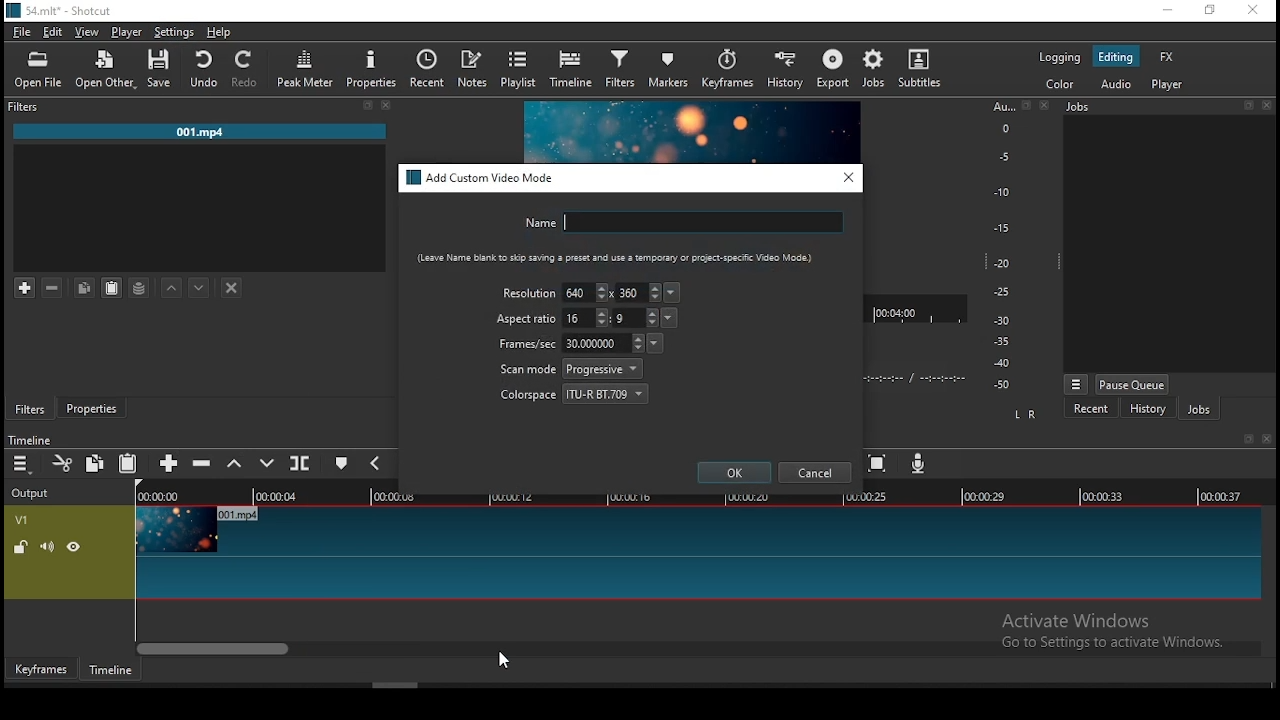 The image size is (1280, 720). I want to click on color, so click(1059, 83).